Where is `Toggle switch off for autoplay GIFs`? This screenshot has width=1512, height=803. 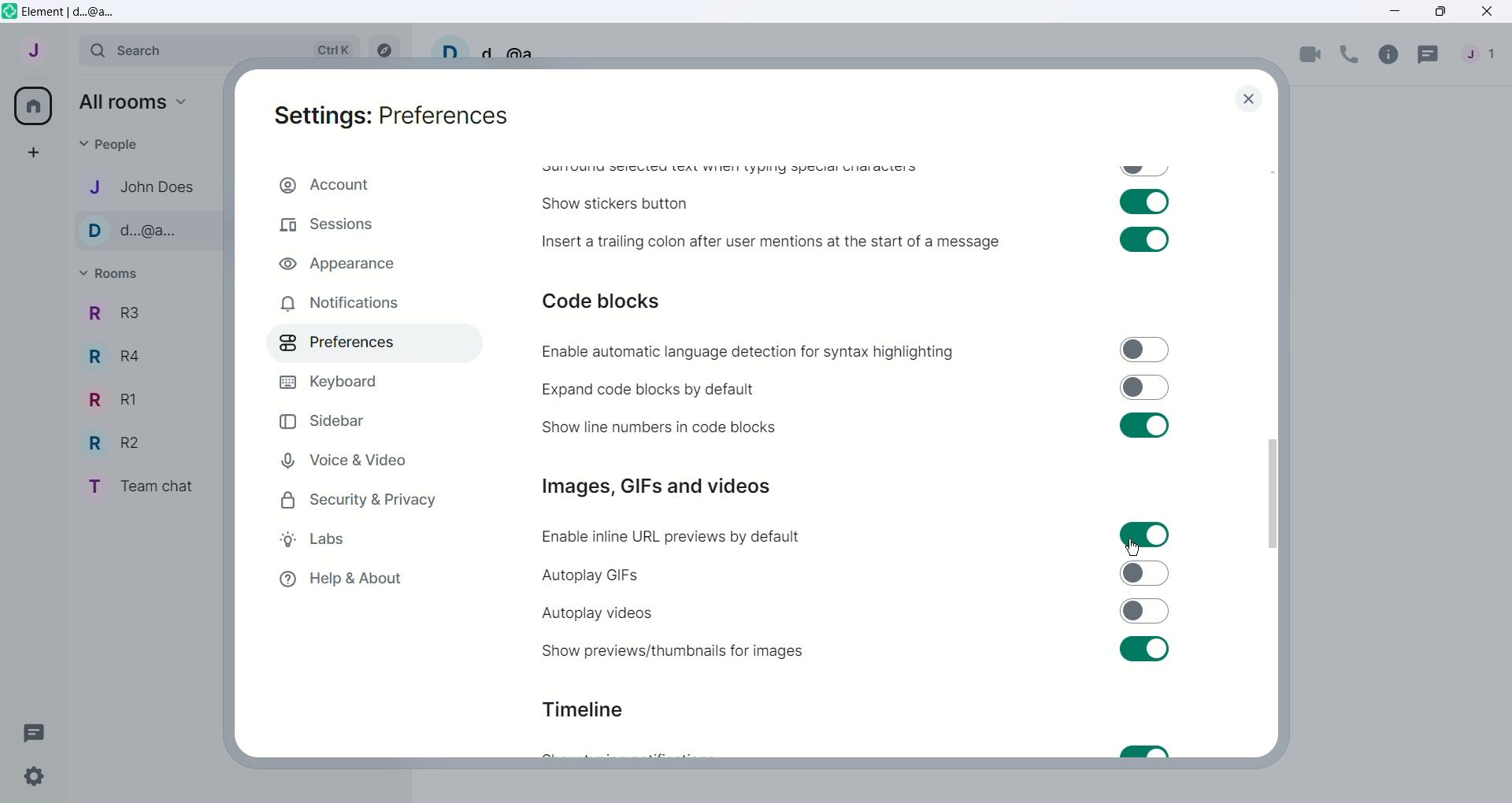 Toggle switch off for autoplay GIFs is located at coordinates (1145, 573).